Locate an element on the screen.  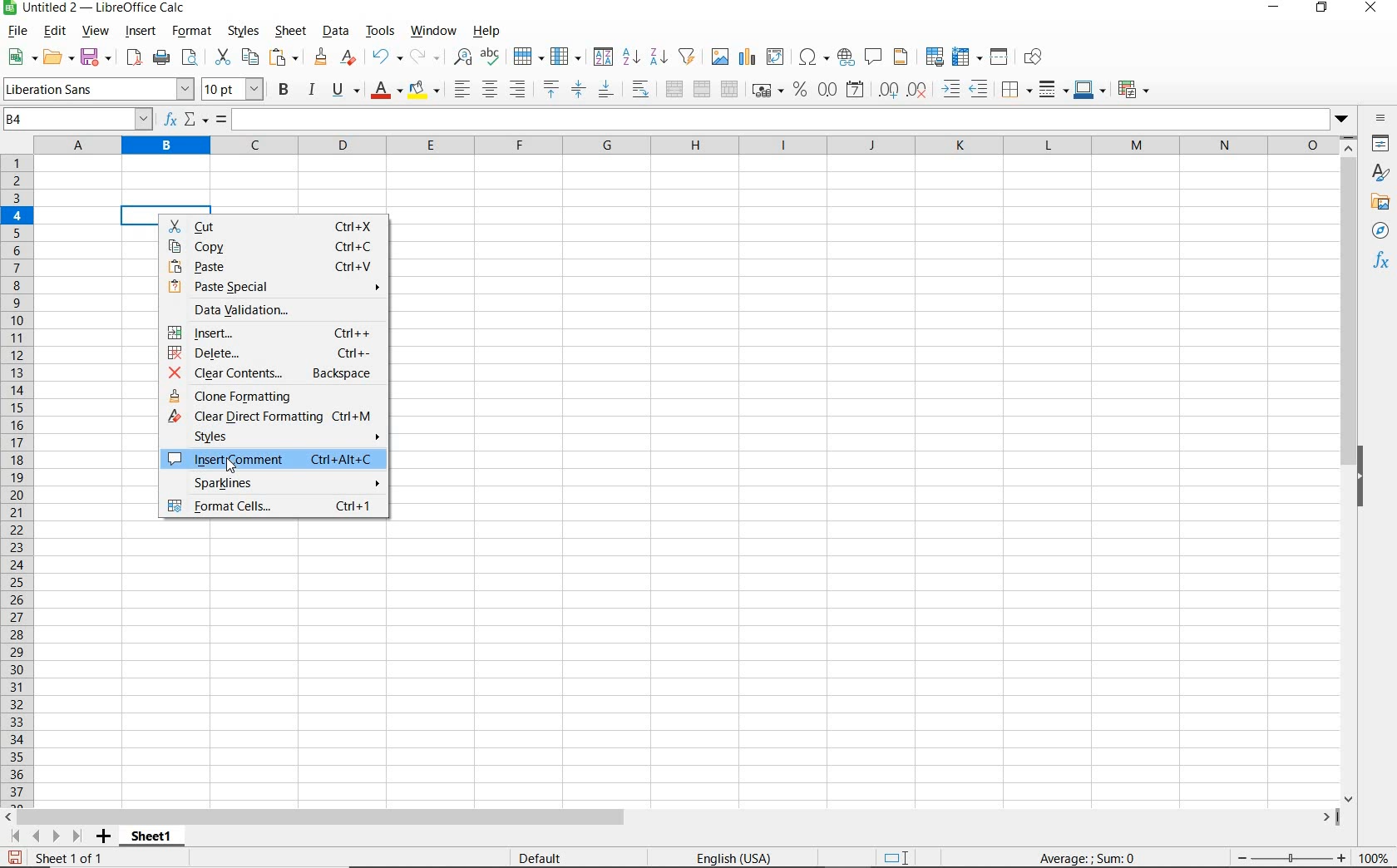
define print area is located at coordinates (935, 56).